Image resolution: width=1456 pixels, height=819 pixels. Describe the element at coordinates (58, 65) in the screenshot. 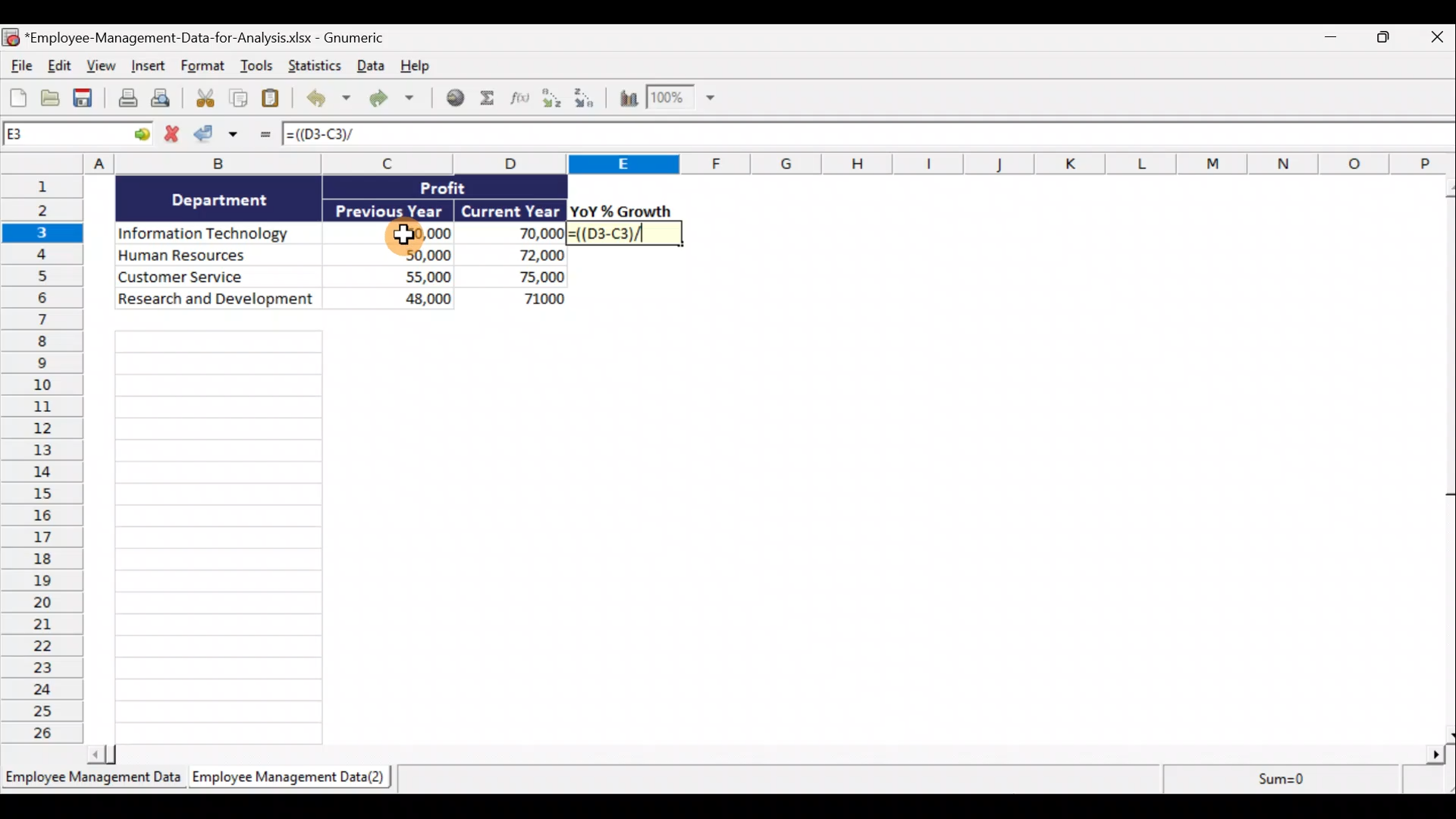

I see `Edit` at that location.